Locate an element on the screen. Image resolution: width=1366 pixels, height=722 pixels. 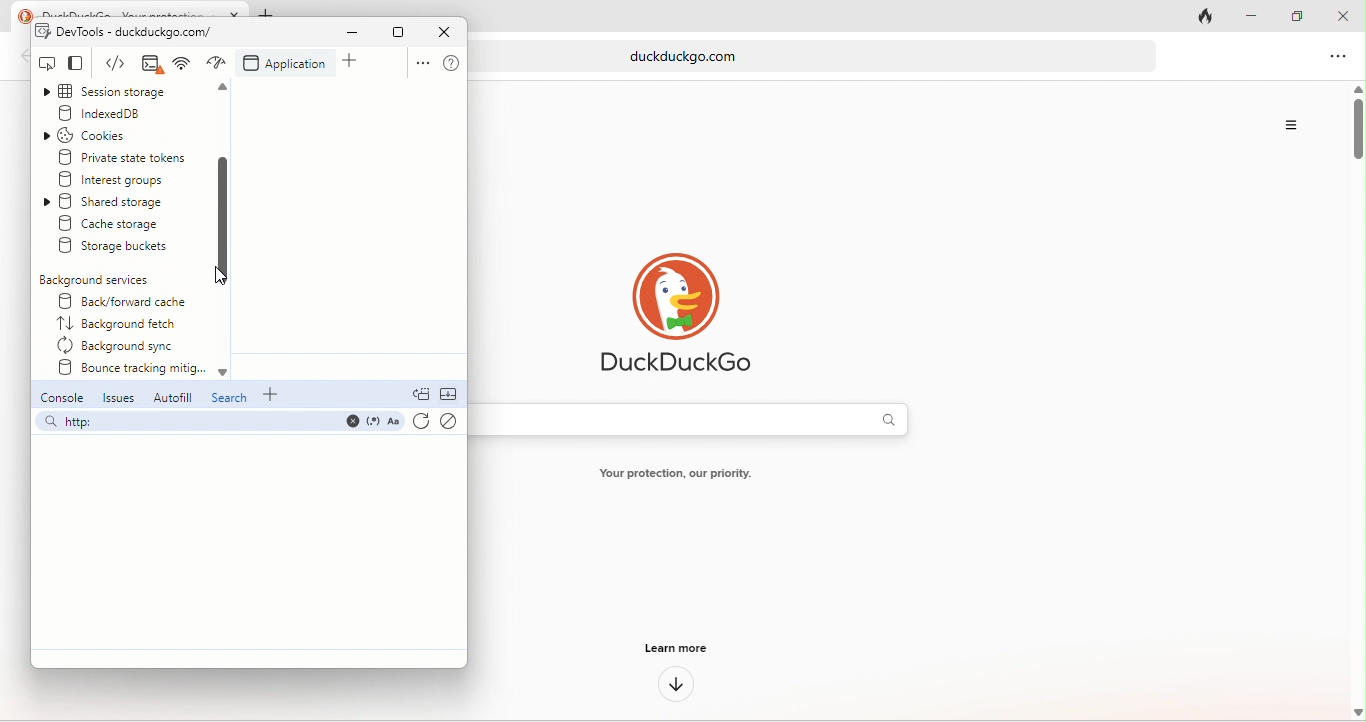
private state tokens is located at coordinates (126, 158).